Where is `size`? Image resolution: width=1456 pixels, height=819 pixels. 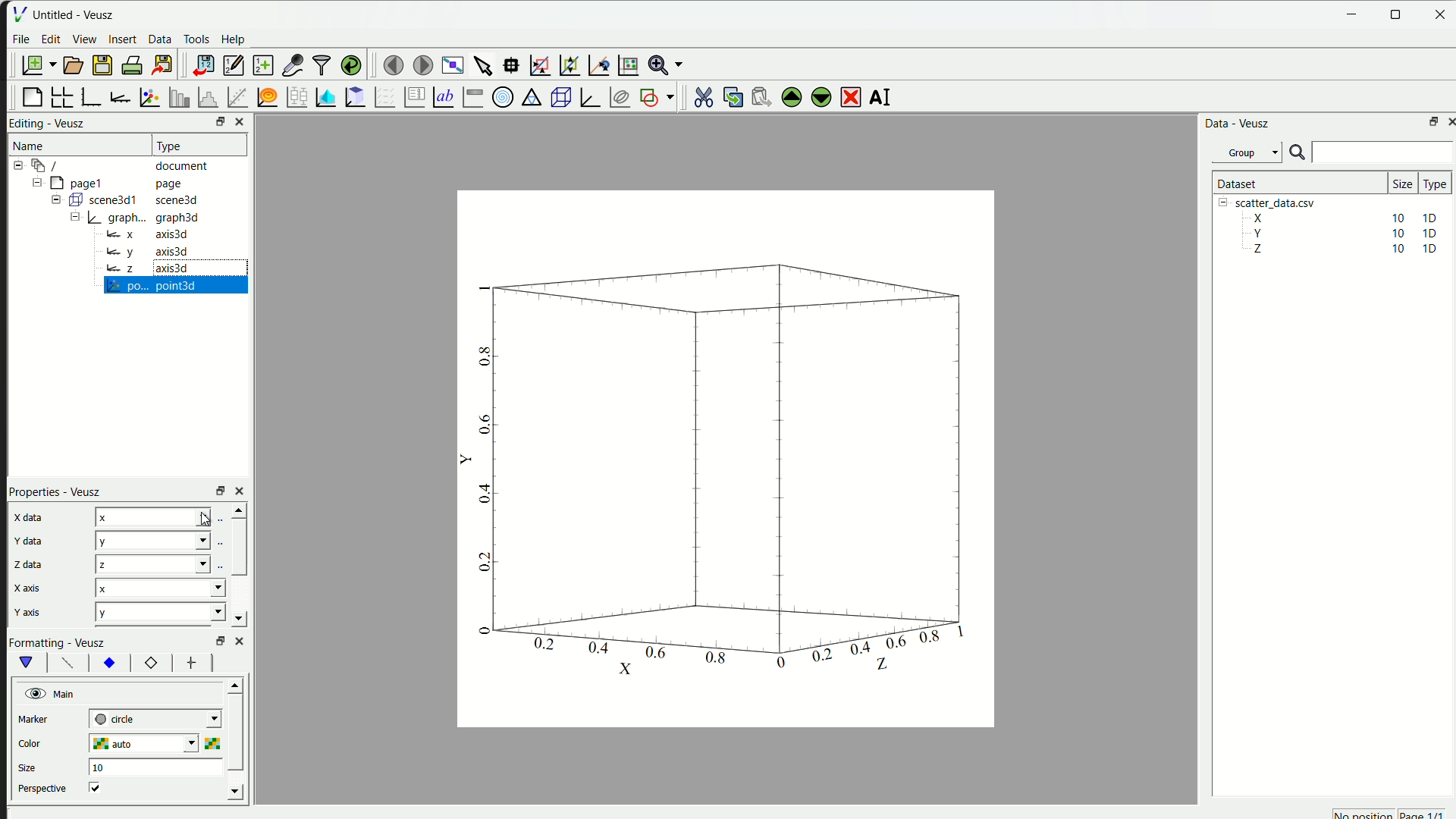
size is located at coordinates (1398, 180).